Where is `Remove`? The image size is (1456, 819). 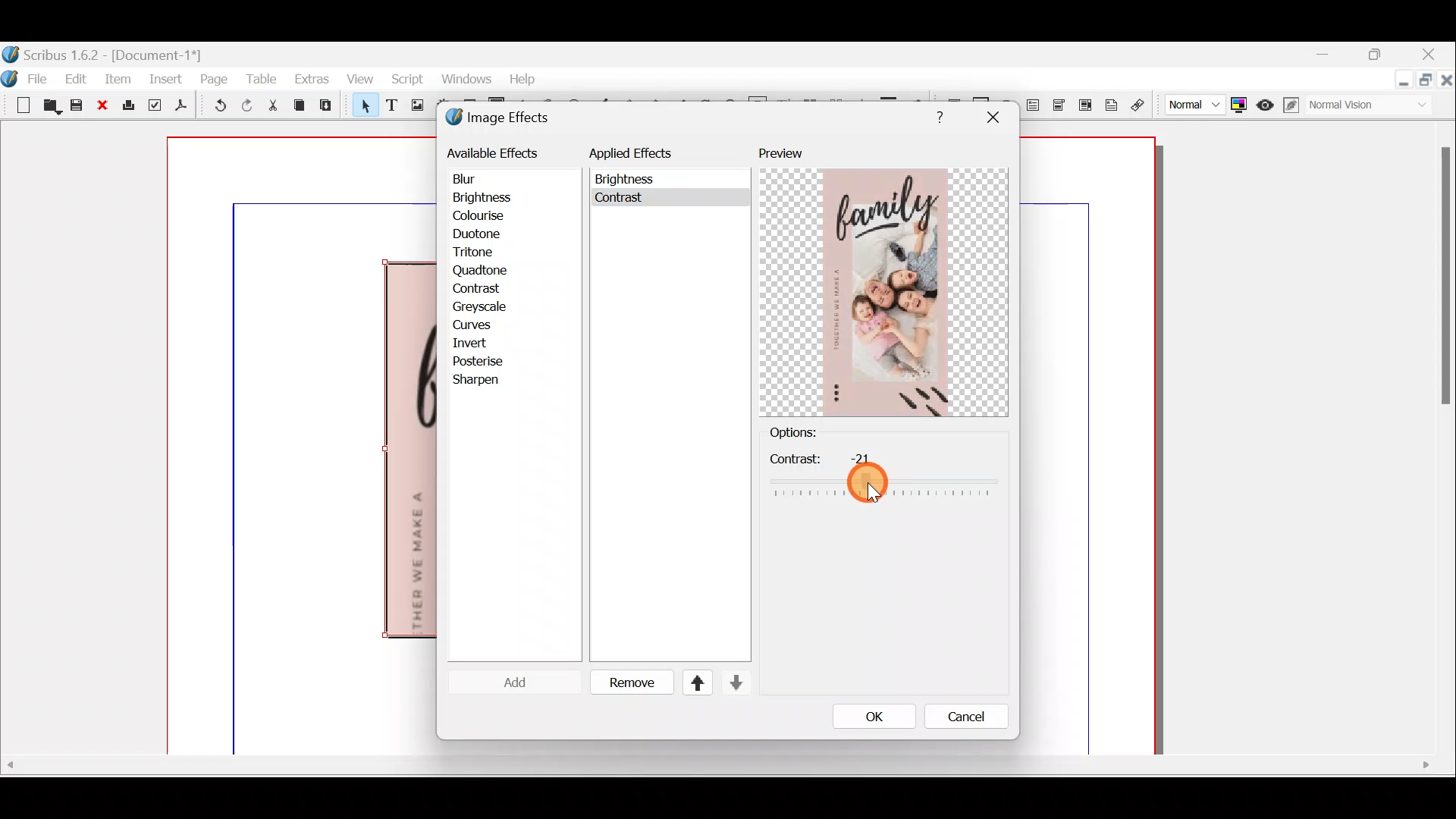
Remove is located at coordinates (626, 683).